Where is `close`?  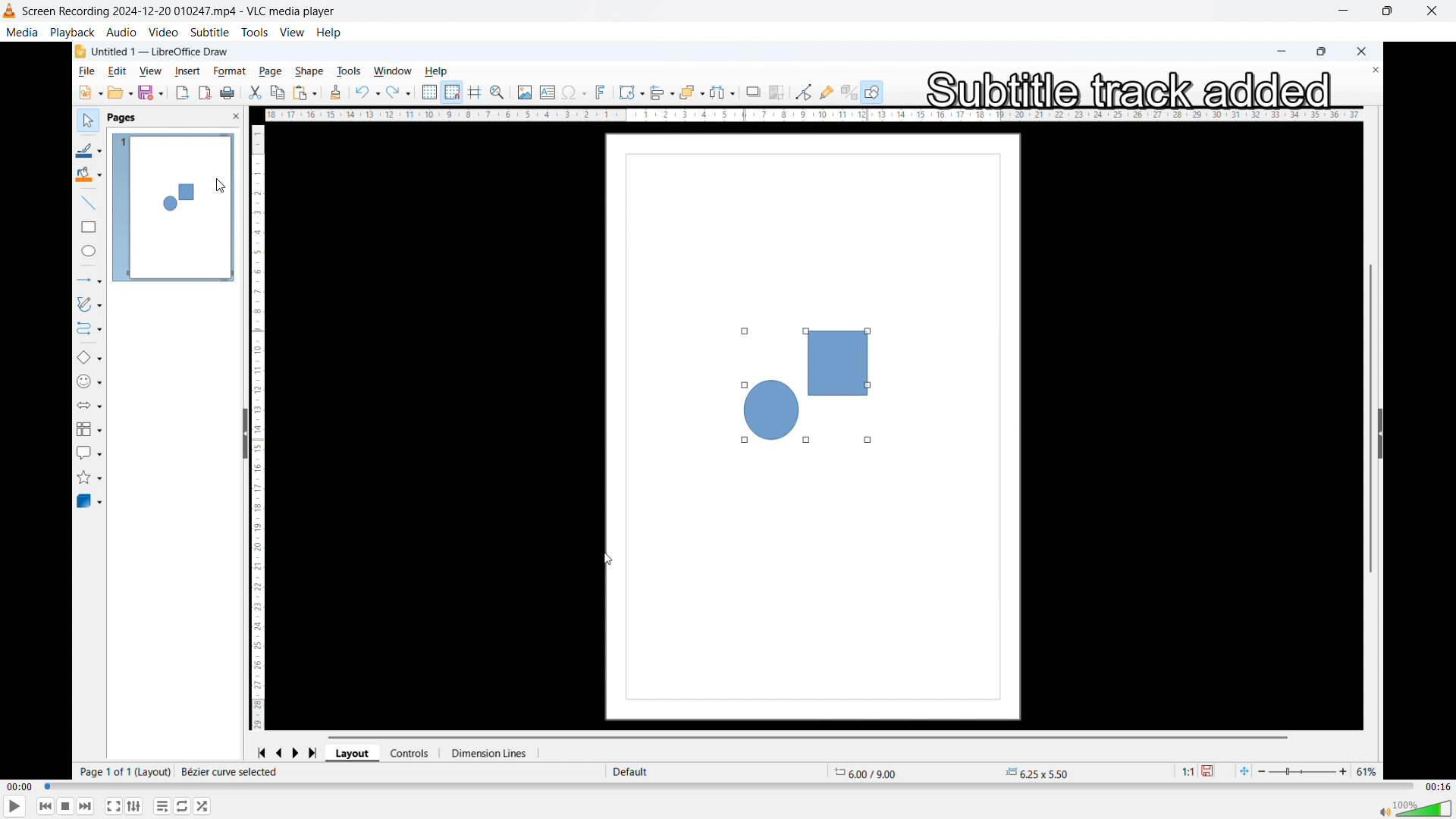 close is located at coordinates (1369, 71).